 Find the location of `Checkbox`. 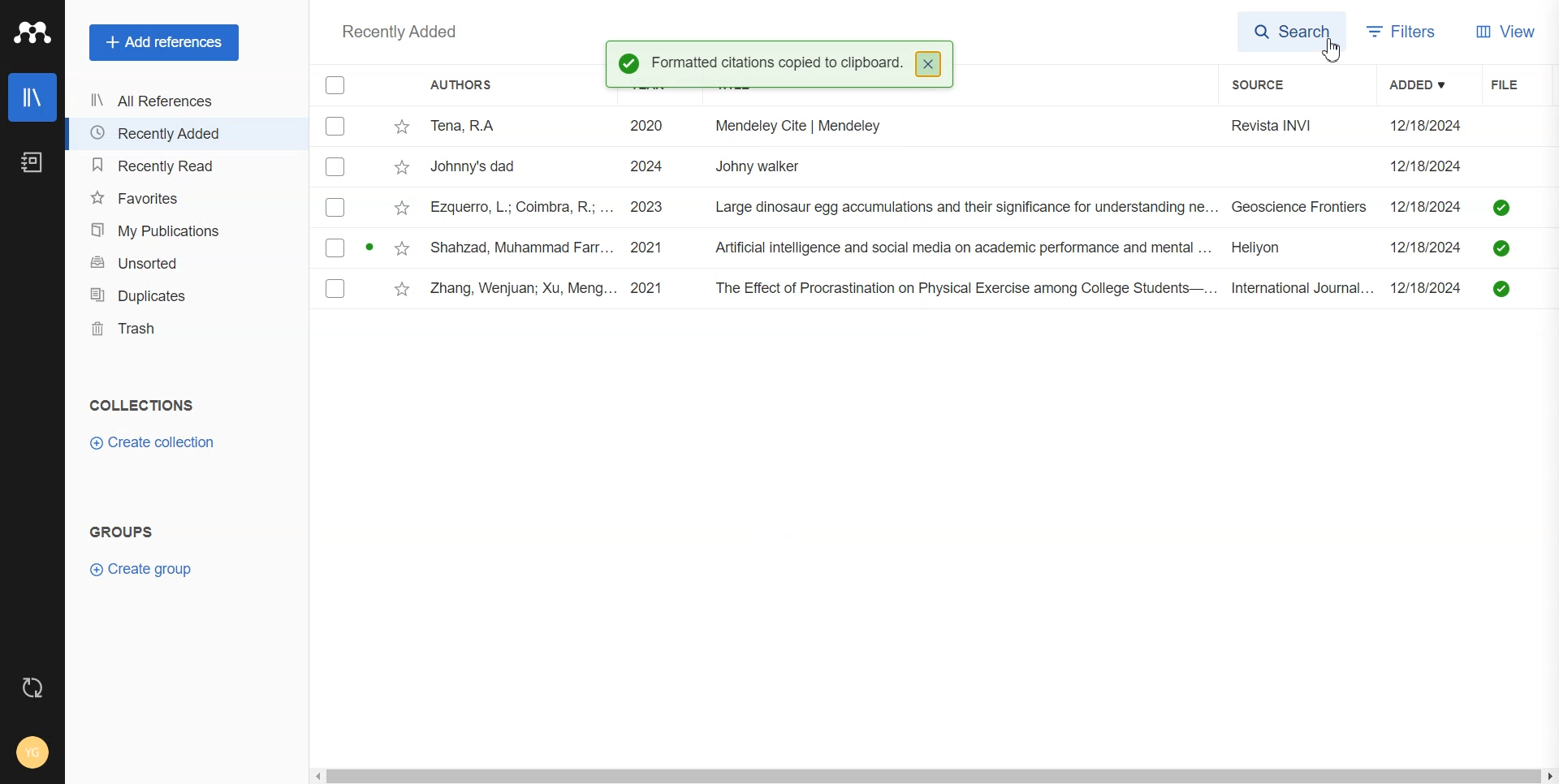

Checkbox is located at coordinates (338, 166).